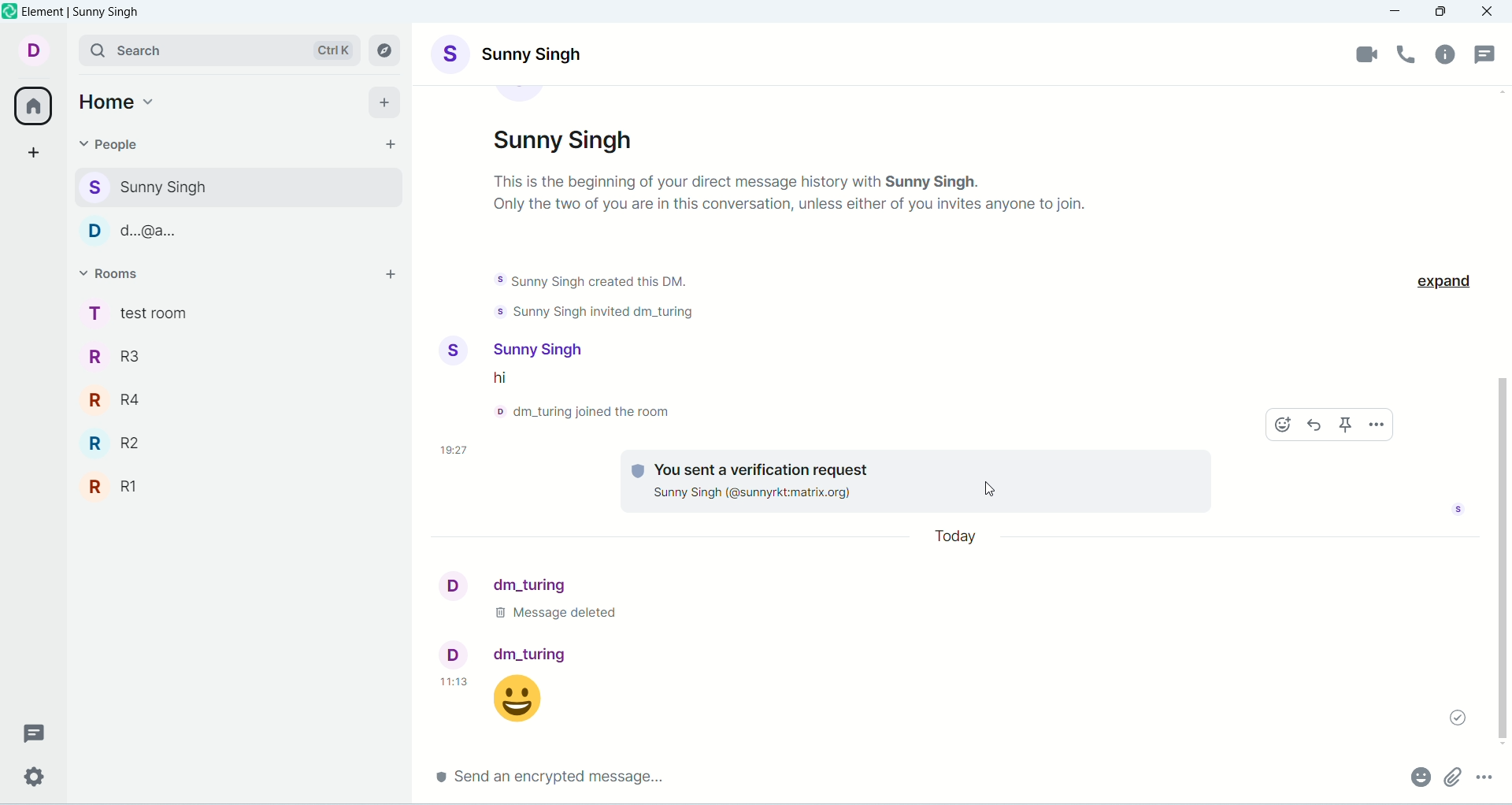  Describe the element at coordinates (1312, 425) in the screenshot. I see `reply` at that location.